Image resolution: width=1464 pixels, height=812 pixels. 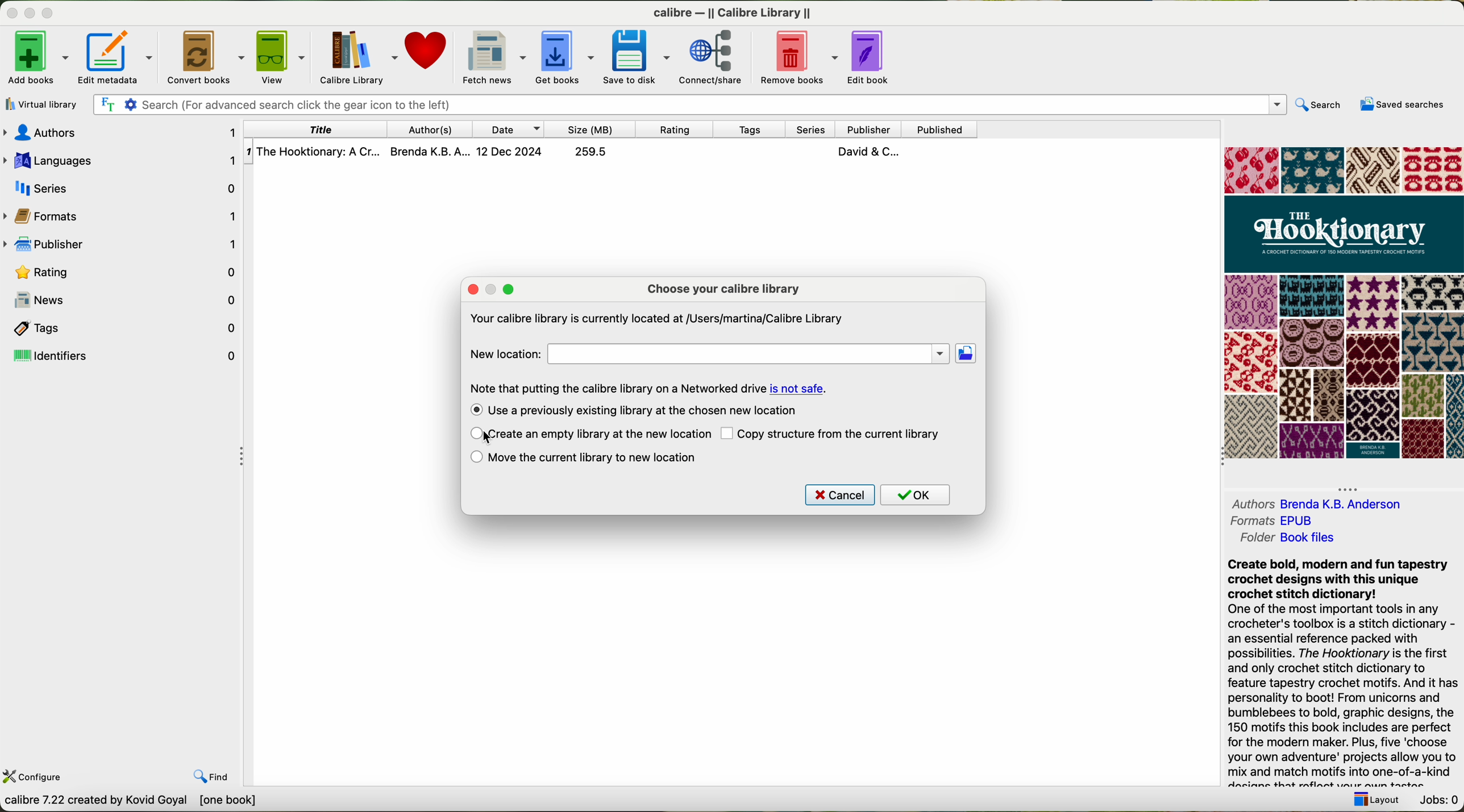 I want to click on save to disk, so click(x=638, y=57).